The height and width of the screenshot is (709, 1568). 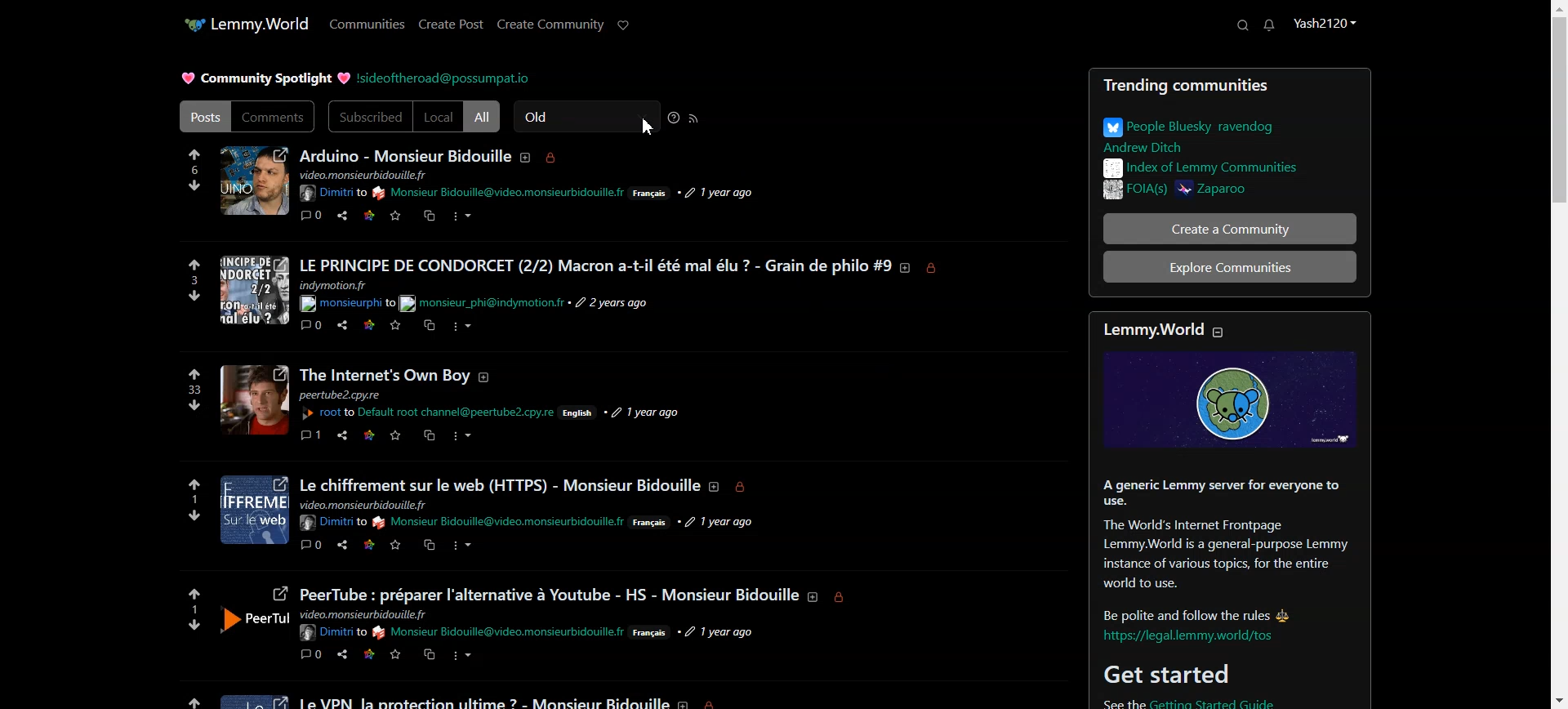 What do you see at coordinates (1270, 25) in the screenshot?
I see `Unread Message` at bounding box center [1270, 25].